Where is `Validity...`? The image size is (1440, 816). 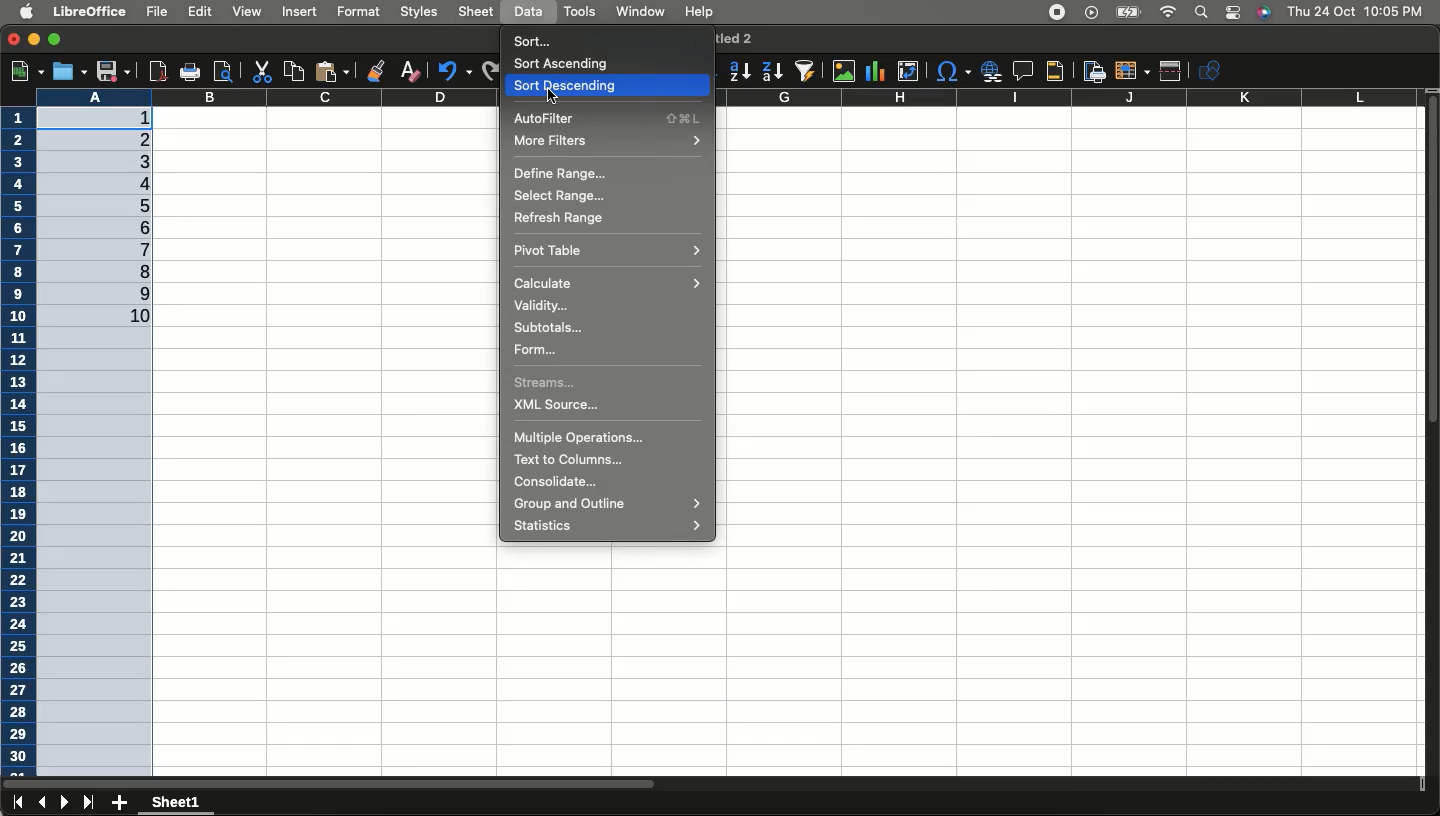
Validity... is located at coordinates (539, 307).